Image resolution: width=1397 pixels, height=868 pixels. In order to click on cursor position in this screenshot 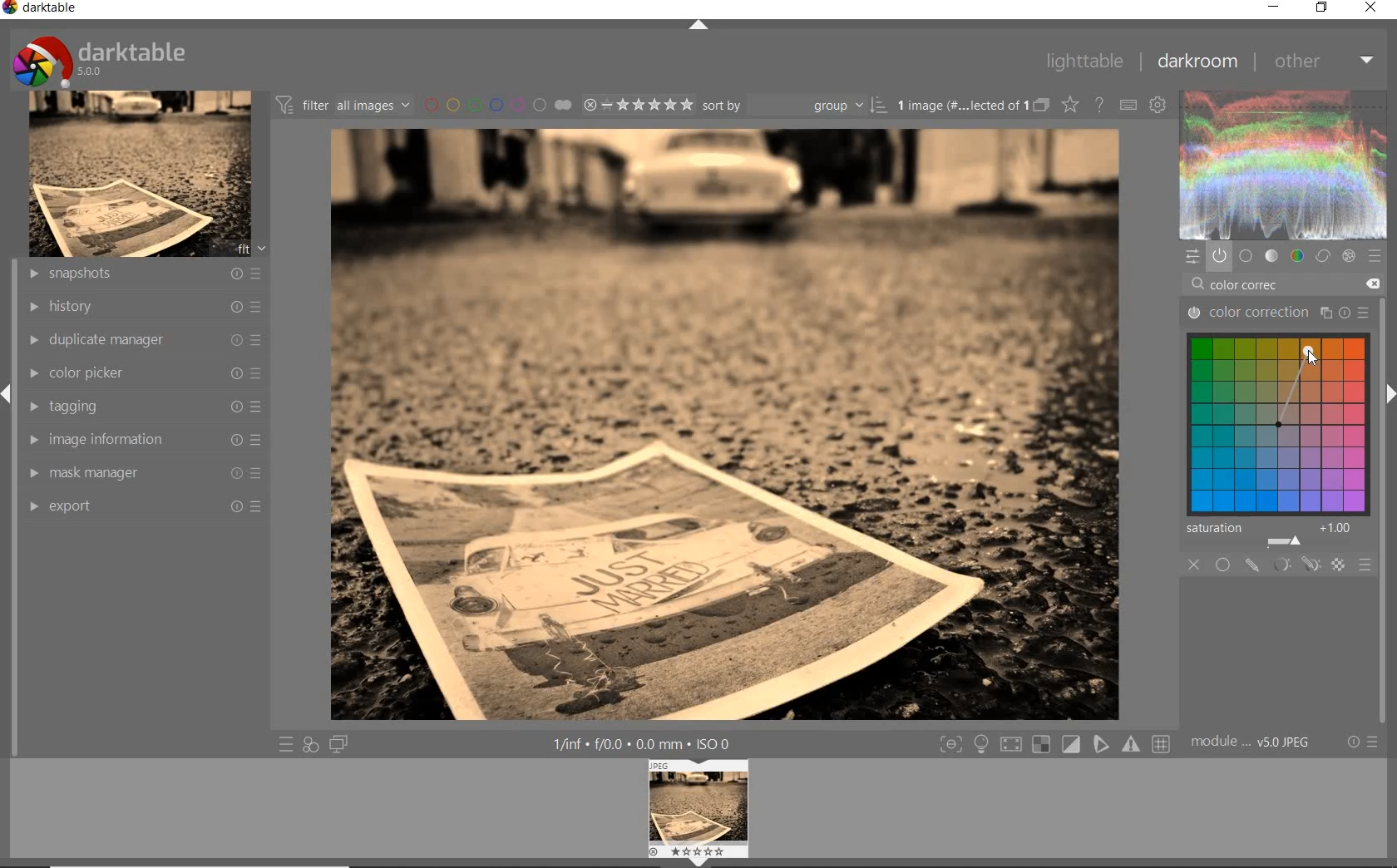, I will do `click(1309, 353)`.